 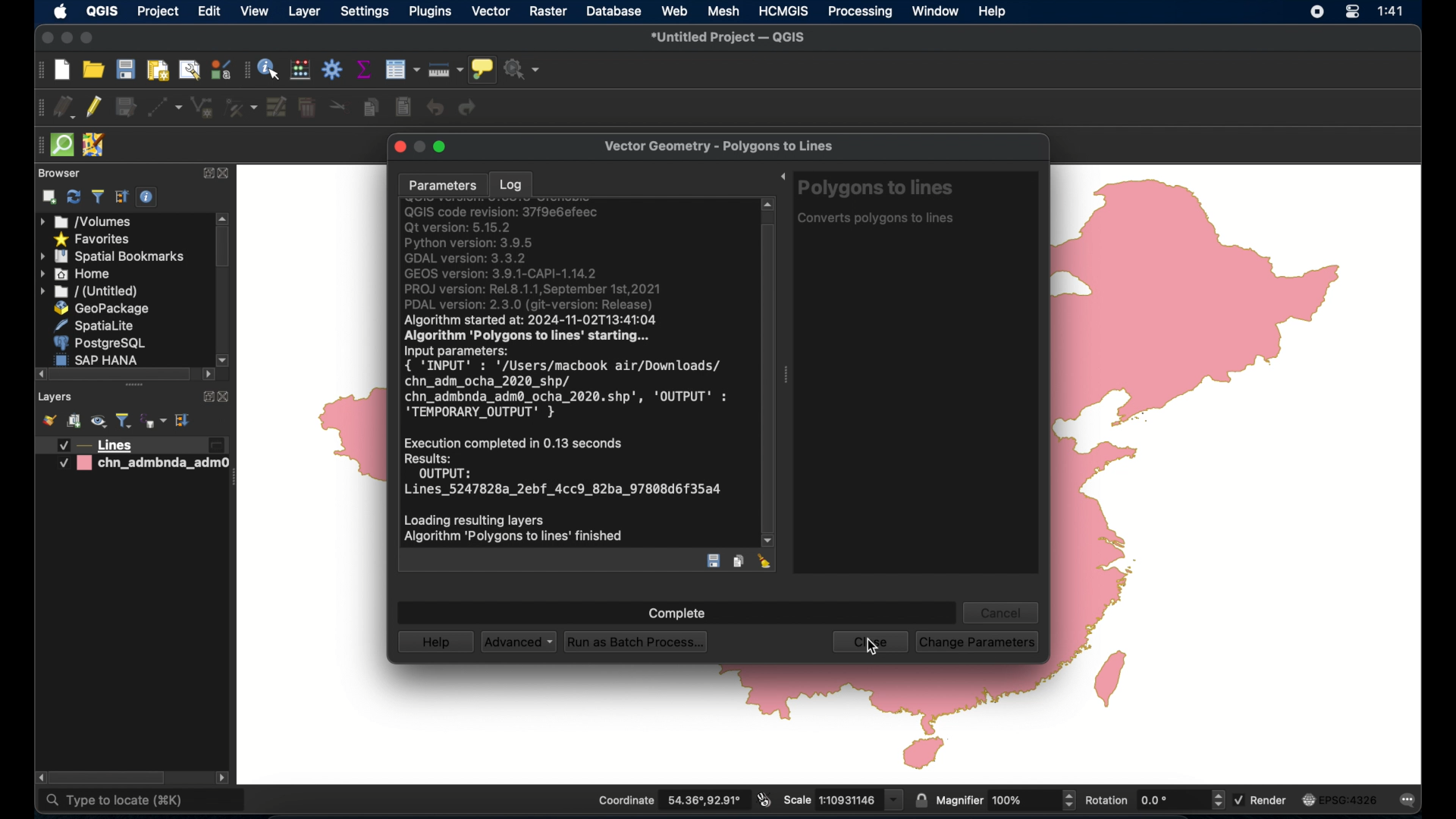 I want to click on save edits, so click(x=125, y=108).